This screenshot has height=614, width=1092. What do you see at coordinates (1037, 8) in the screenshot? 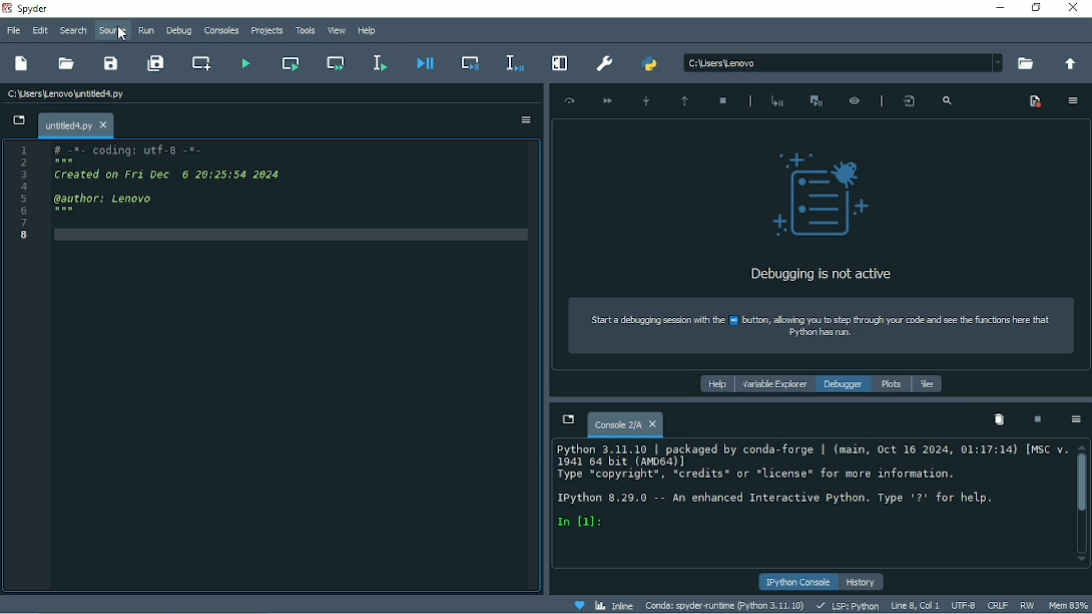
I see `Restore down` at bounding box center [1037, 8].